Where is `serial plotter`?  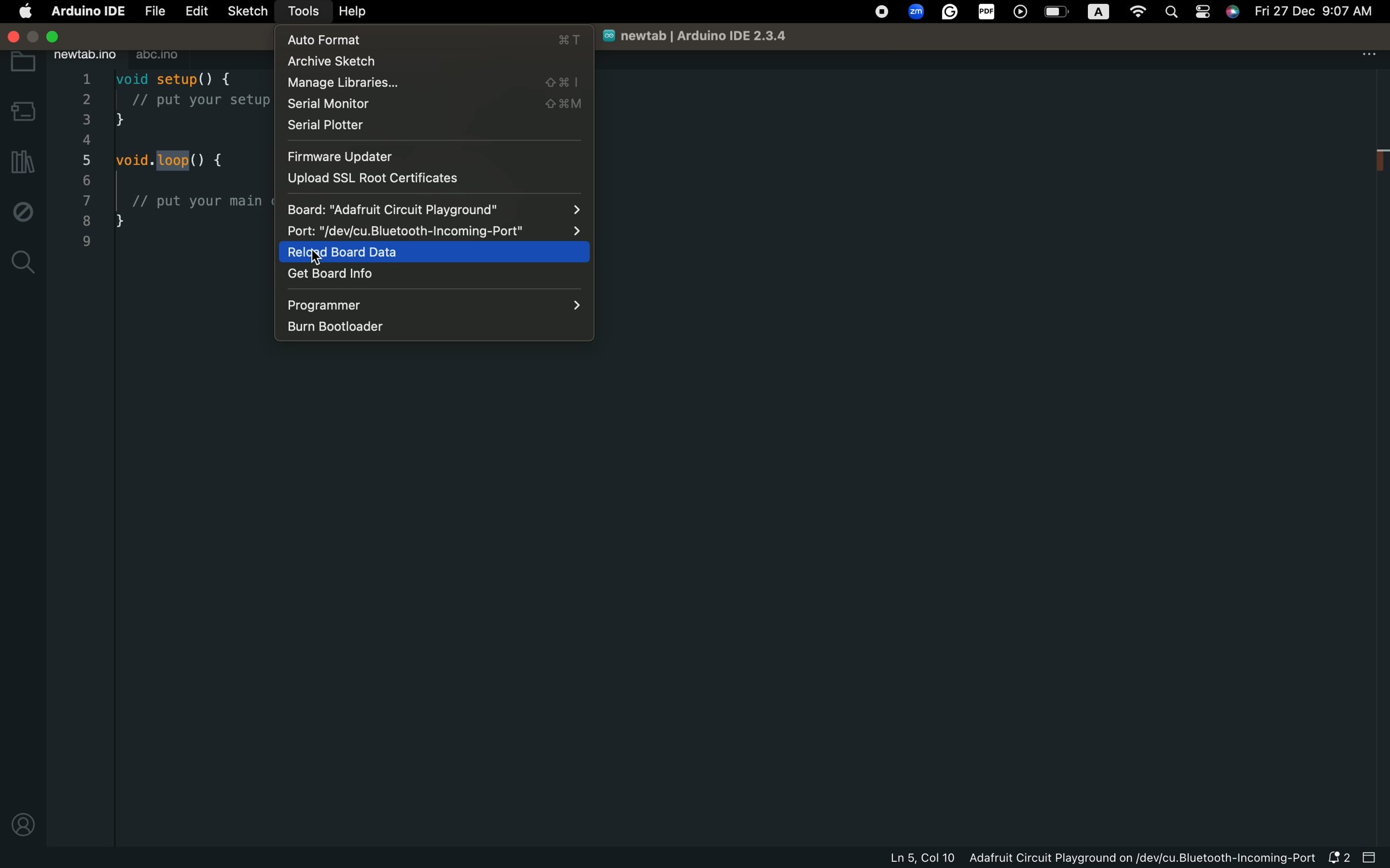 serial plotter is located at coordinates (438, 127).